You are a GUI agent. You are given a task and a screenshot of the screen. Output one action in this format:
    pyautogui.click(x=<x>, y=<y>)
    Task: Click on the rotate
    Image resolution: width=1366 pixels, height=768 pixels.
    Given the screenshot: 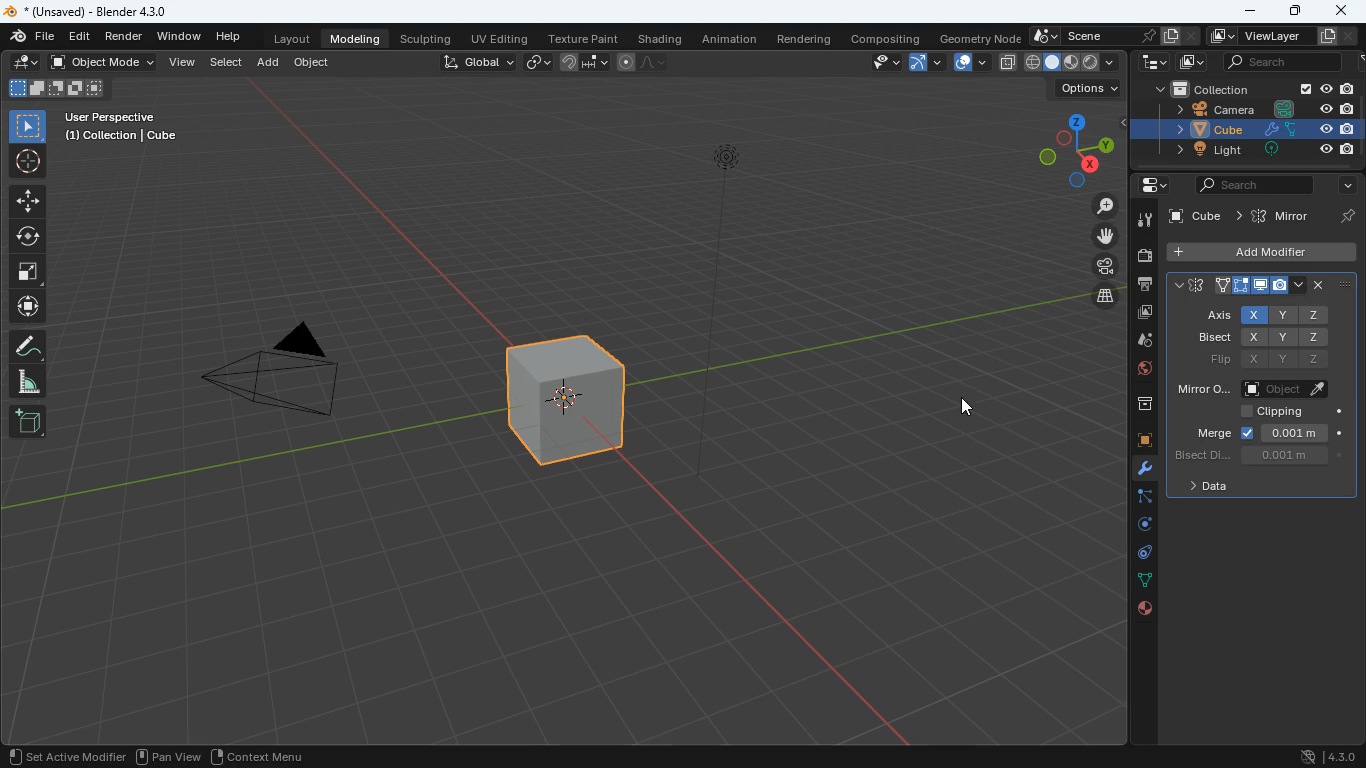 What is the action you would take?
    pyautogui.click(x=27, y=239)
    